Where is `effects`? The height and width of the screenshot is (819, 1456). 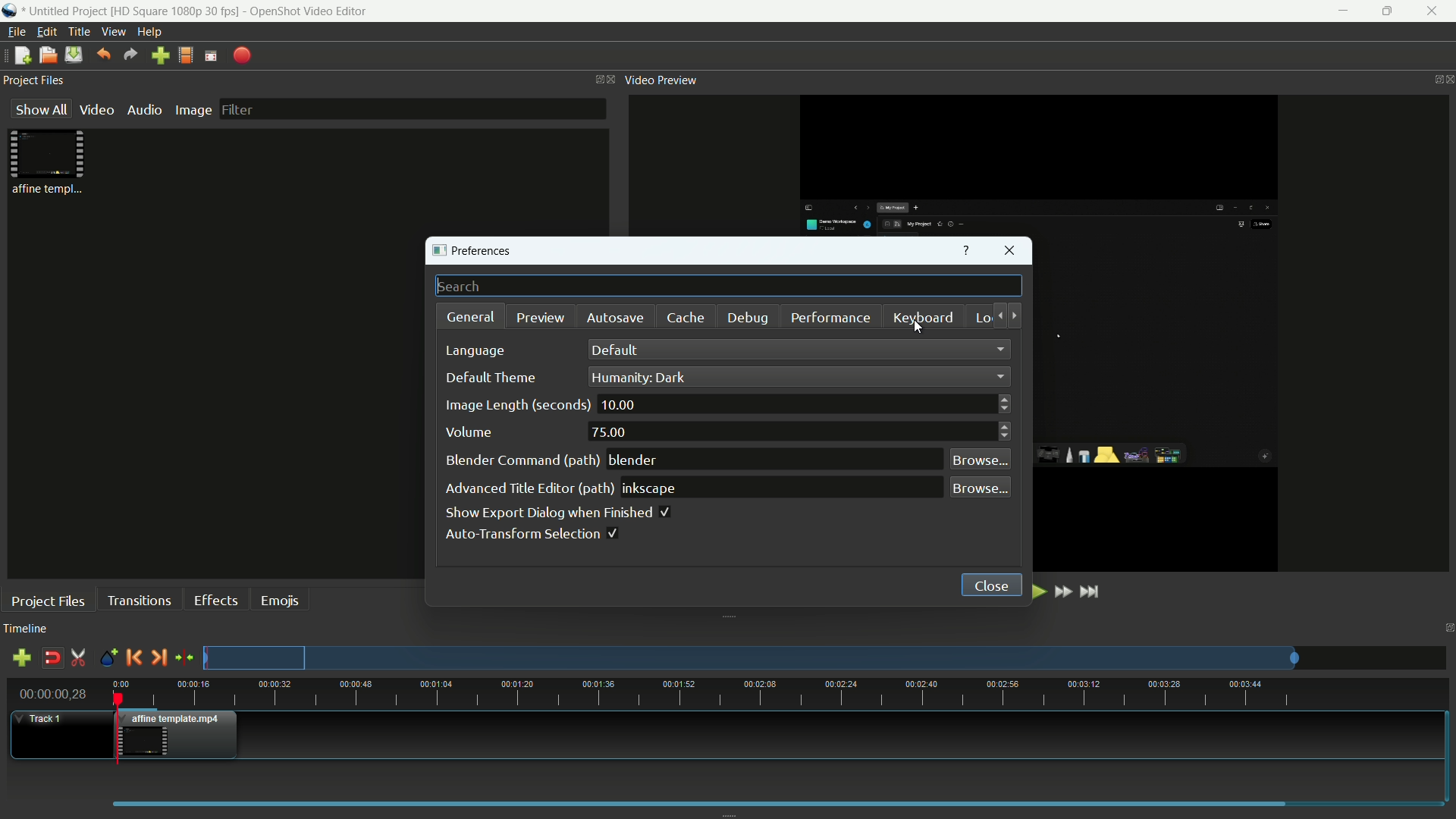 effects is located at coordinates (218, 600).